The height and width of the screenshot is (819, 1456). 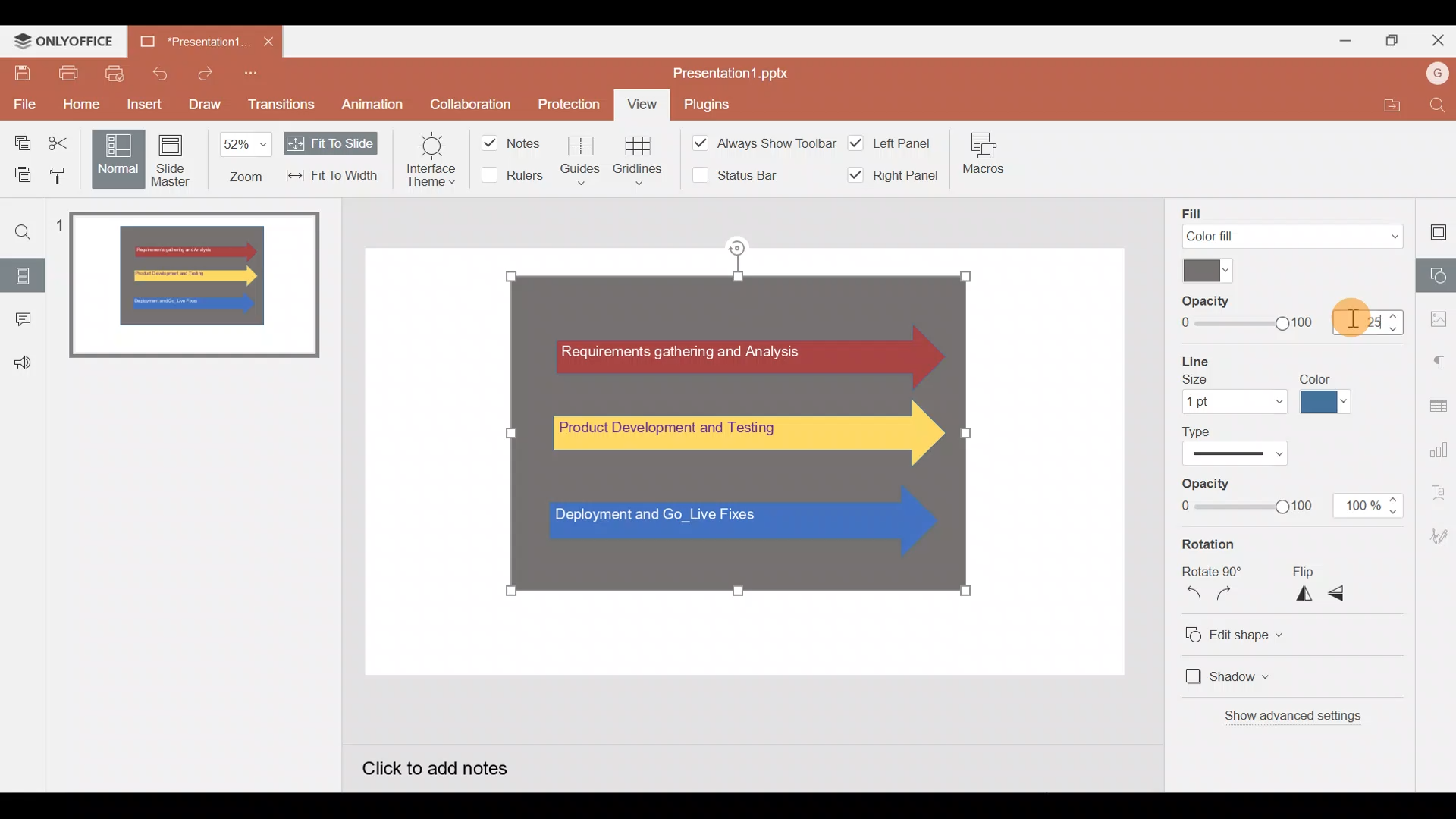 I want to click on Presentation1.pptx, so click(x=742, y=70).